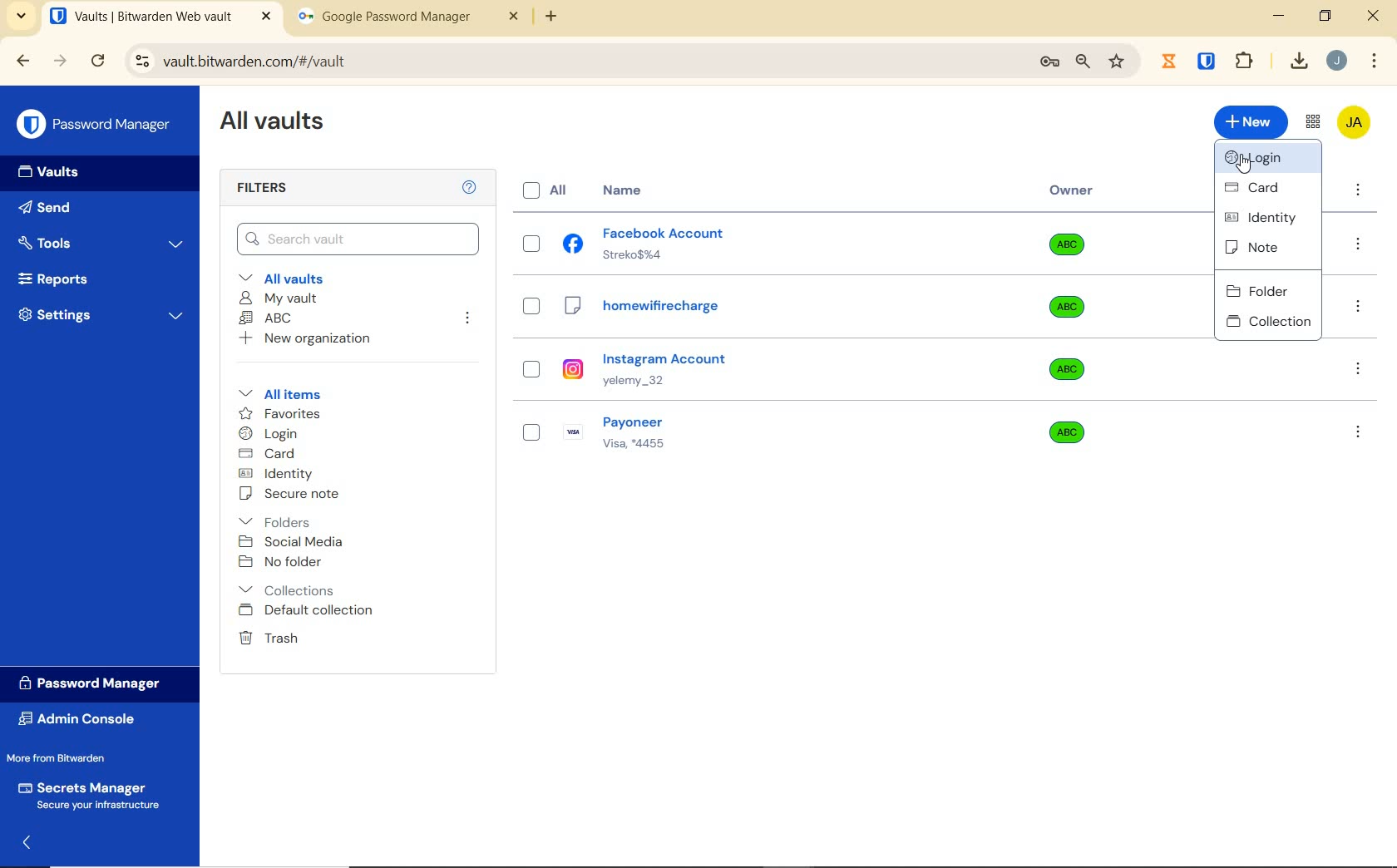 This screenshot has height=868, width=1397. Describe the element at coordinates (1073, 369) in the screenshot. I see `Owner organization` at that location.